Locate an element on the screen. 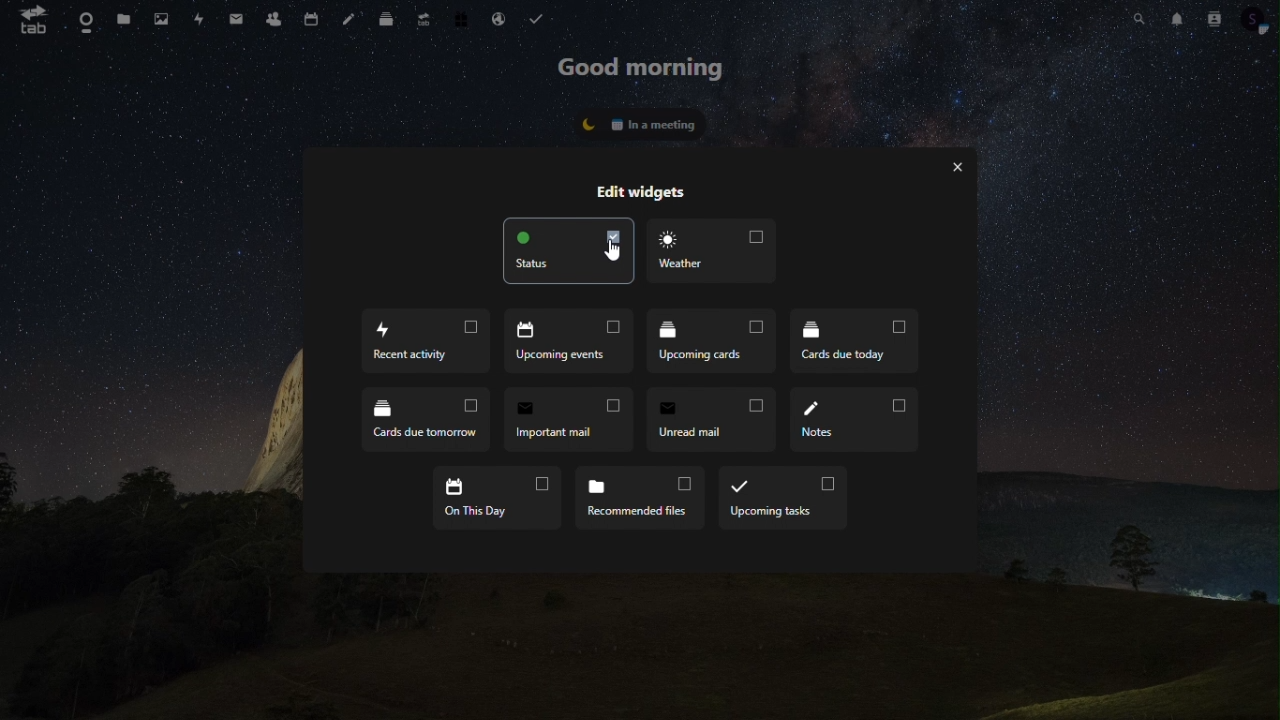 This screenshot has height=720, width=1280. notification is located at coordinates (1176, 17).